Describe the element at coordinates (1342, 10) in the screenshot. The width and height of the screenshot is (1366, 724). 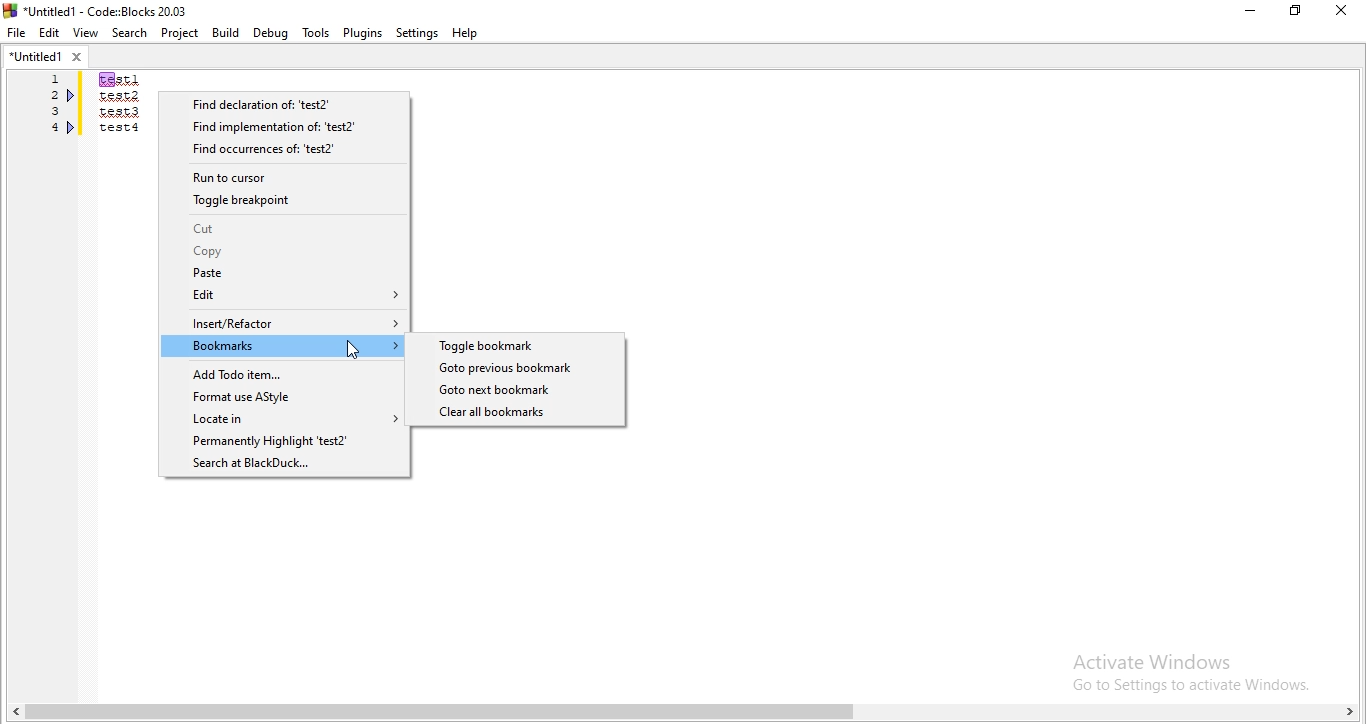
I see `Close` at that location.